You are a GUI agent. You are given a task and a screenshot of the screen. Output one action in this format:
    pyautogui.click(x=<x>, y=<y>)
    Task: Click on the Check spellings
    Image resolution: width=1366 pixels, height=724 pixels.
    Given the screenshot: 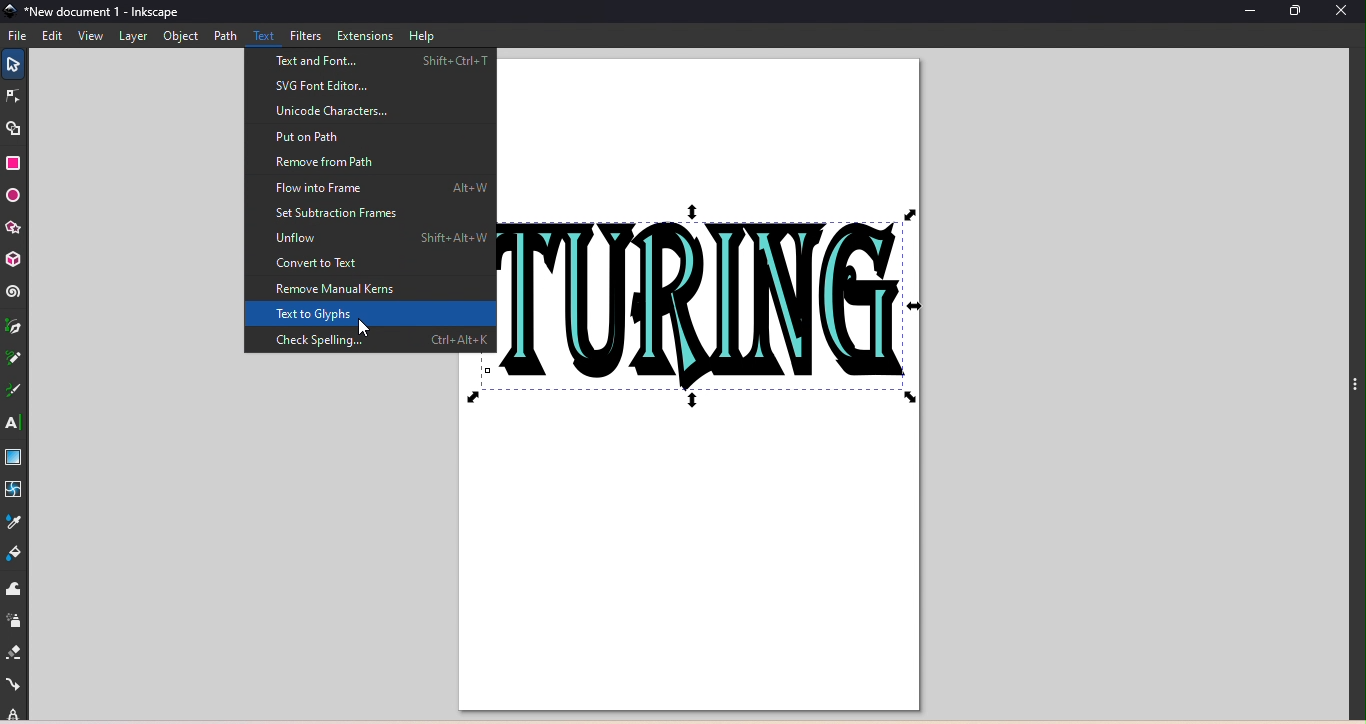 What is the action you would take?
    pyautogui.click(x=371, y=342)
    